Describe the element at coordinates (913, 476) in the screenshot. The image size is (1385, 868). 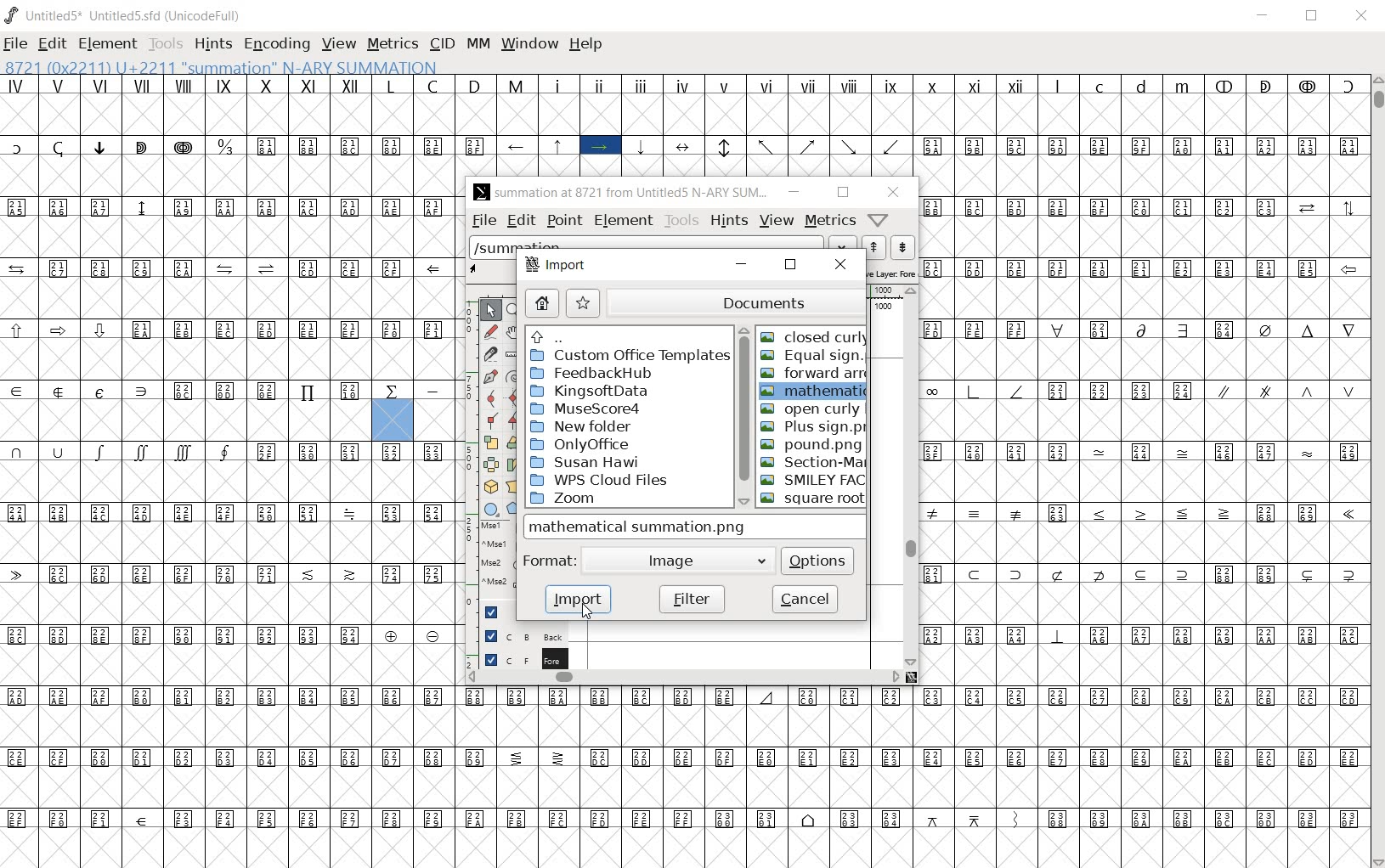
I see `scrollbar` at that location.